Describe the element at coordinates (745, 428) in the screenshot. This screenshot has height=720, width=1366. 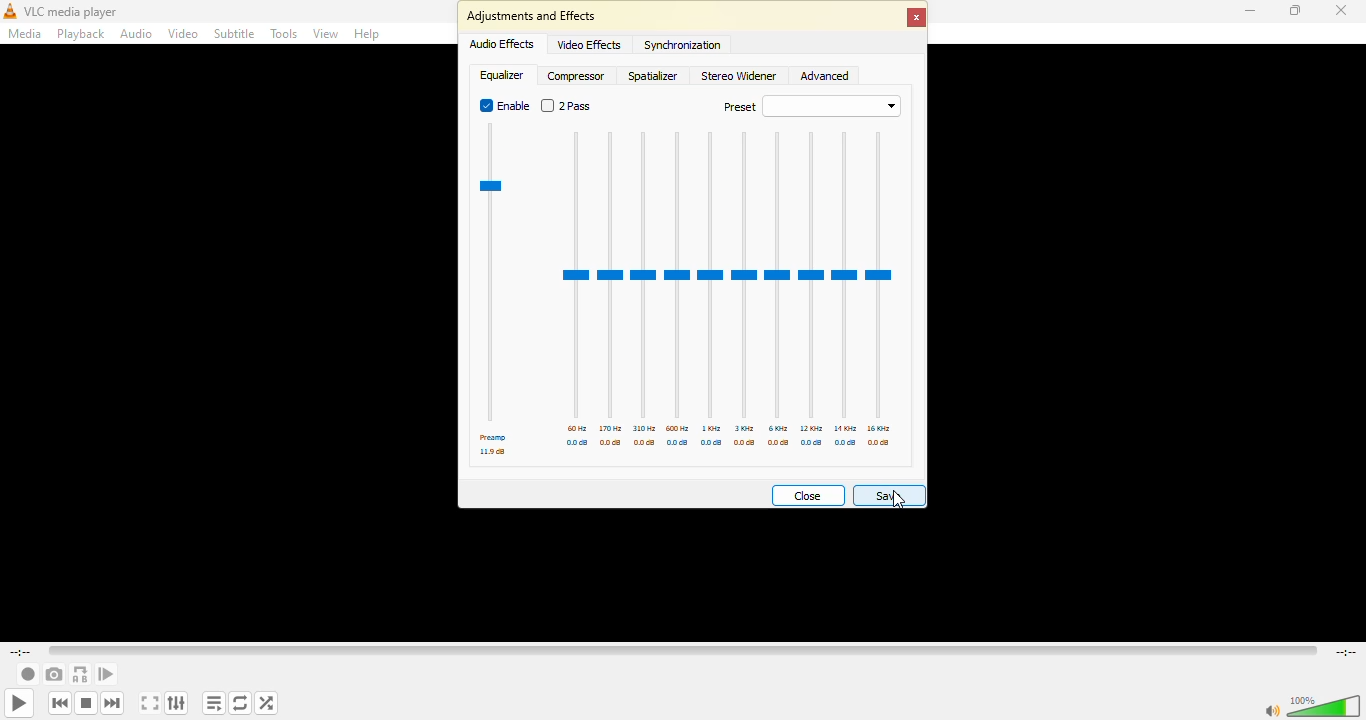
I see `3 khz` at that location.